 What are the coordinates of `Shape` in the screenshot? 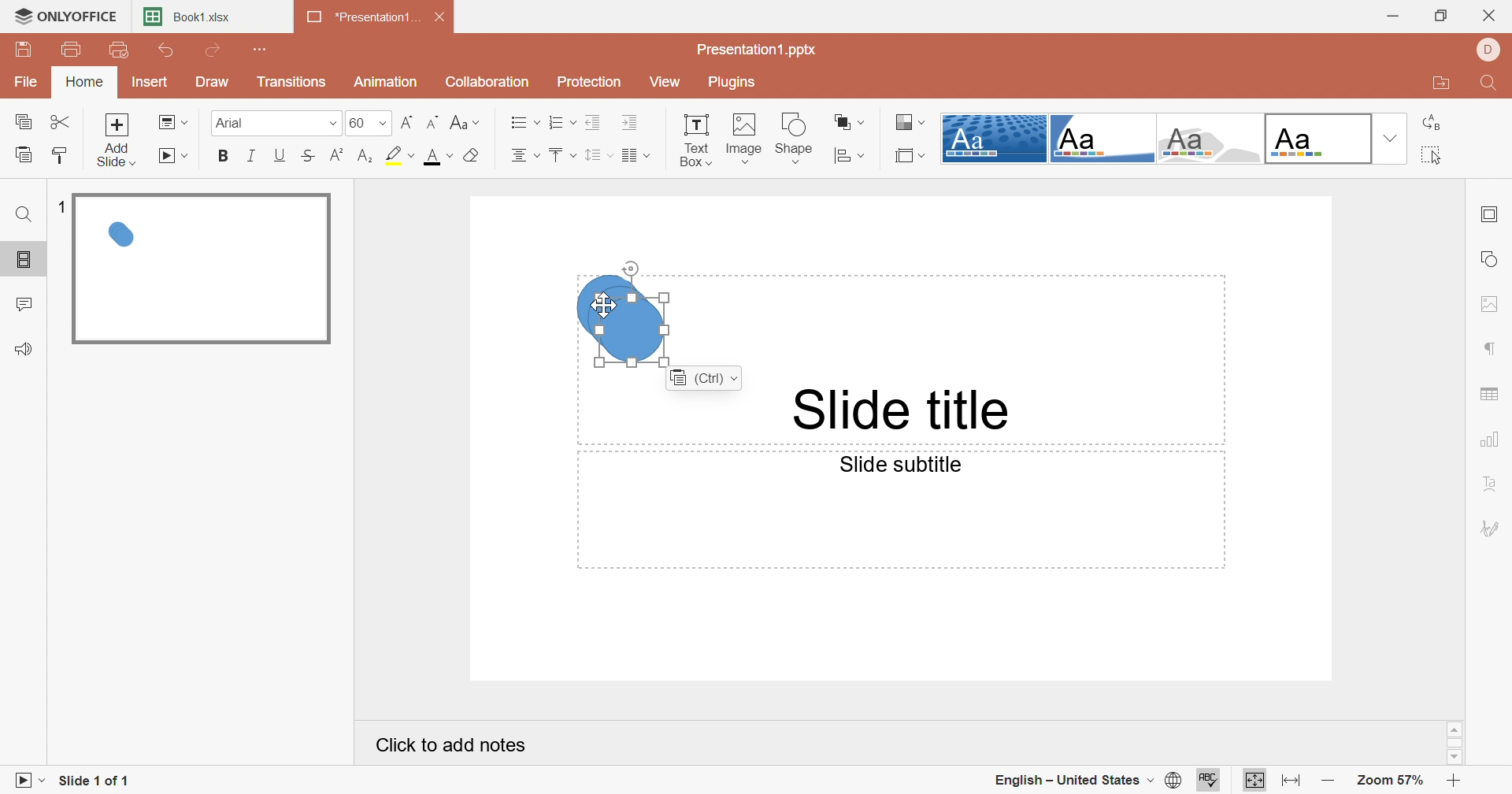 It's located at (795, 138).